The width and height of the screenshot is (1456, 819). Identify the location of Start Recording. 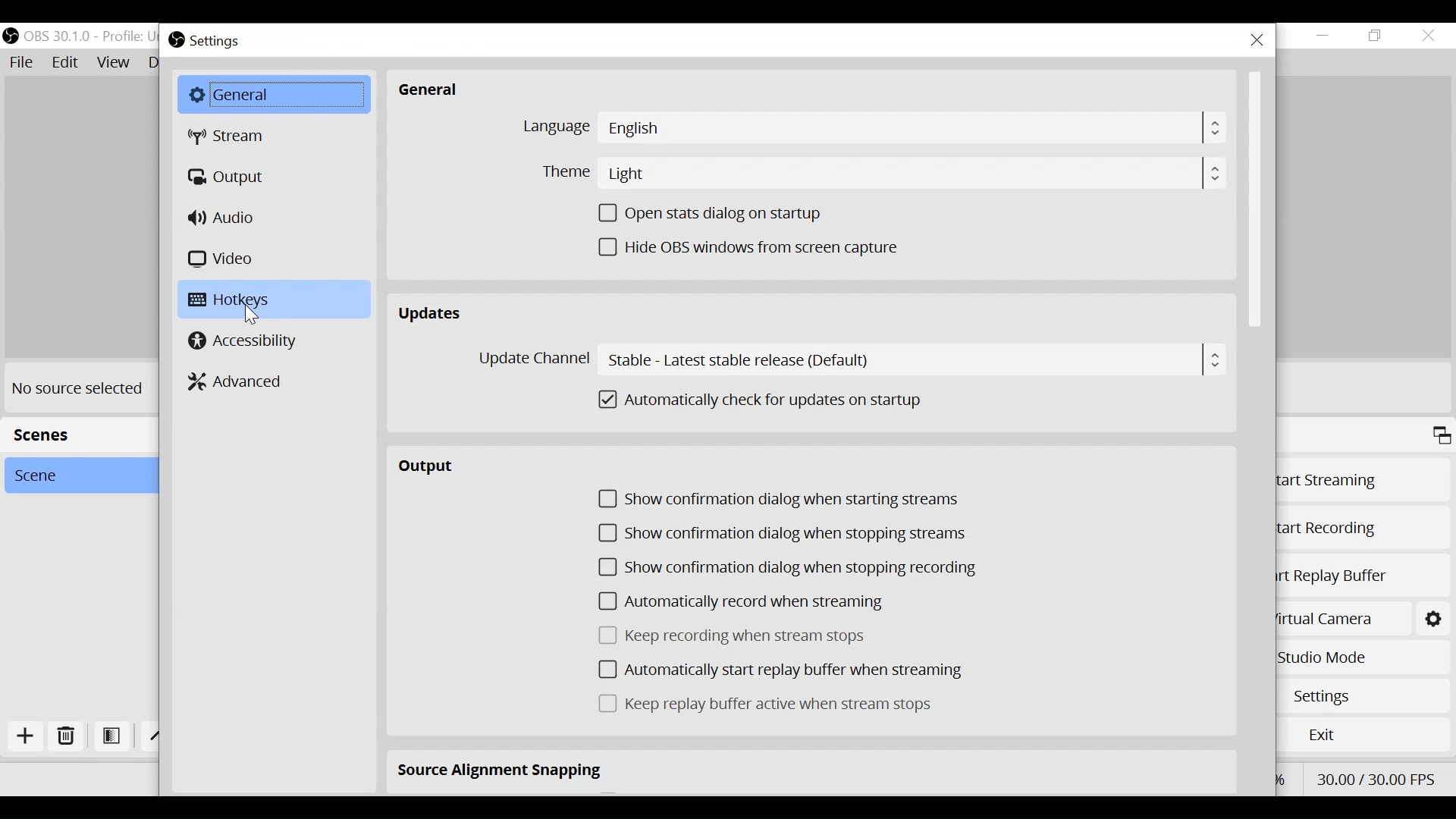
(1360, 532).